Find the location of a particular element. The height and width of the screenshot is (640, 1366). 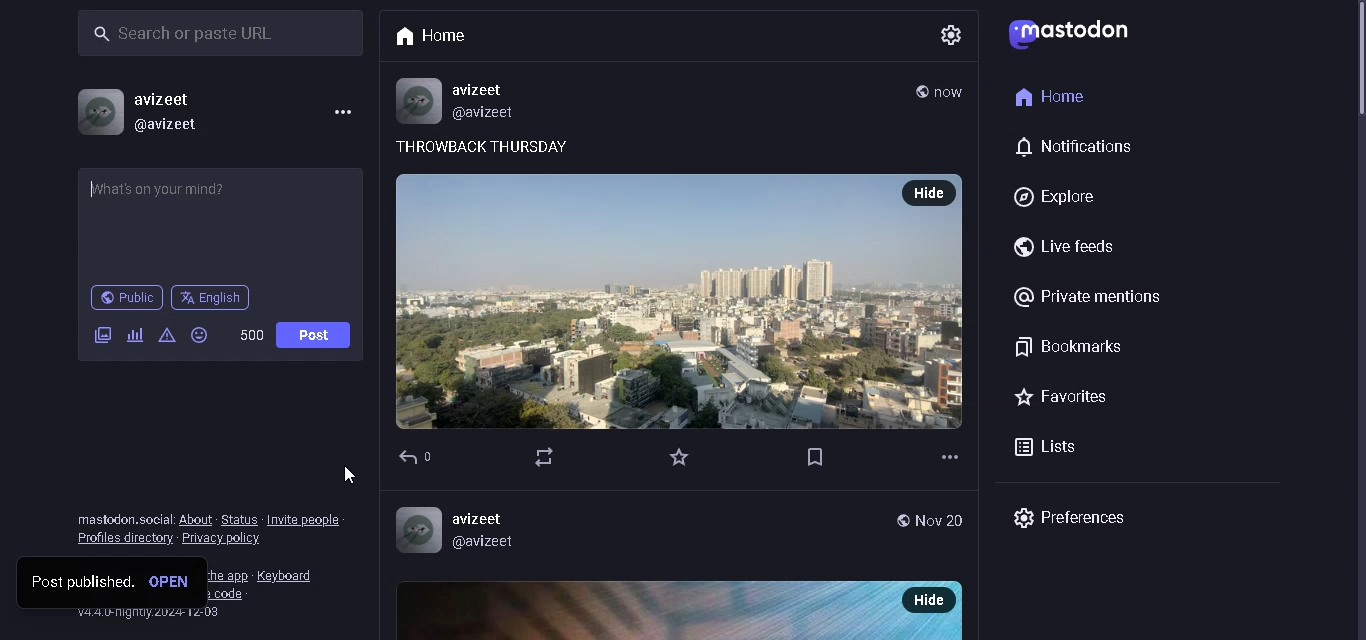

Nov 20 is located at coordinates (942, 519).